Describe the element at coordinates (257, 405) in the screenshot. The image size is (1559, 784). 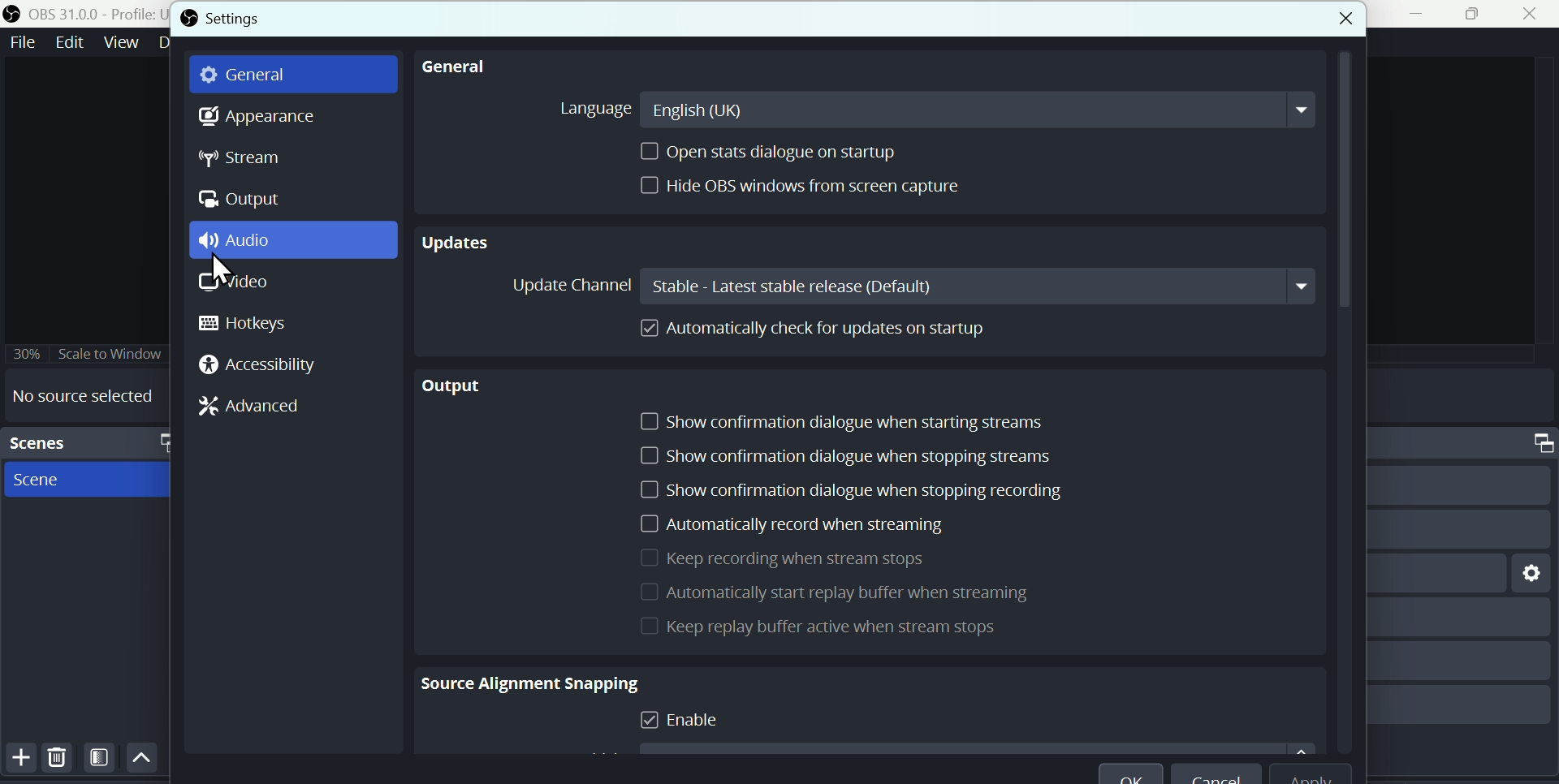
I see `Advanced` at that location.